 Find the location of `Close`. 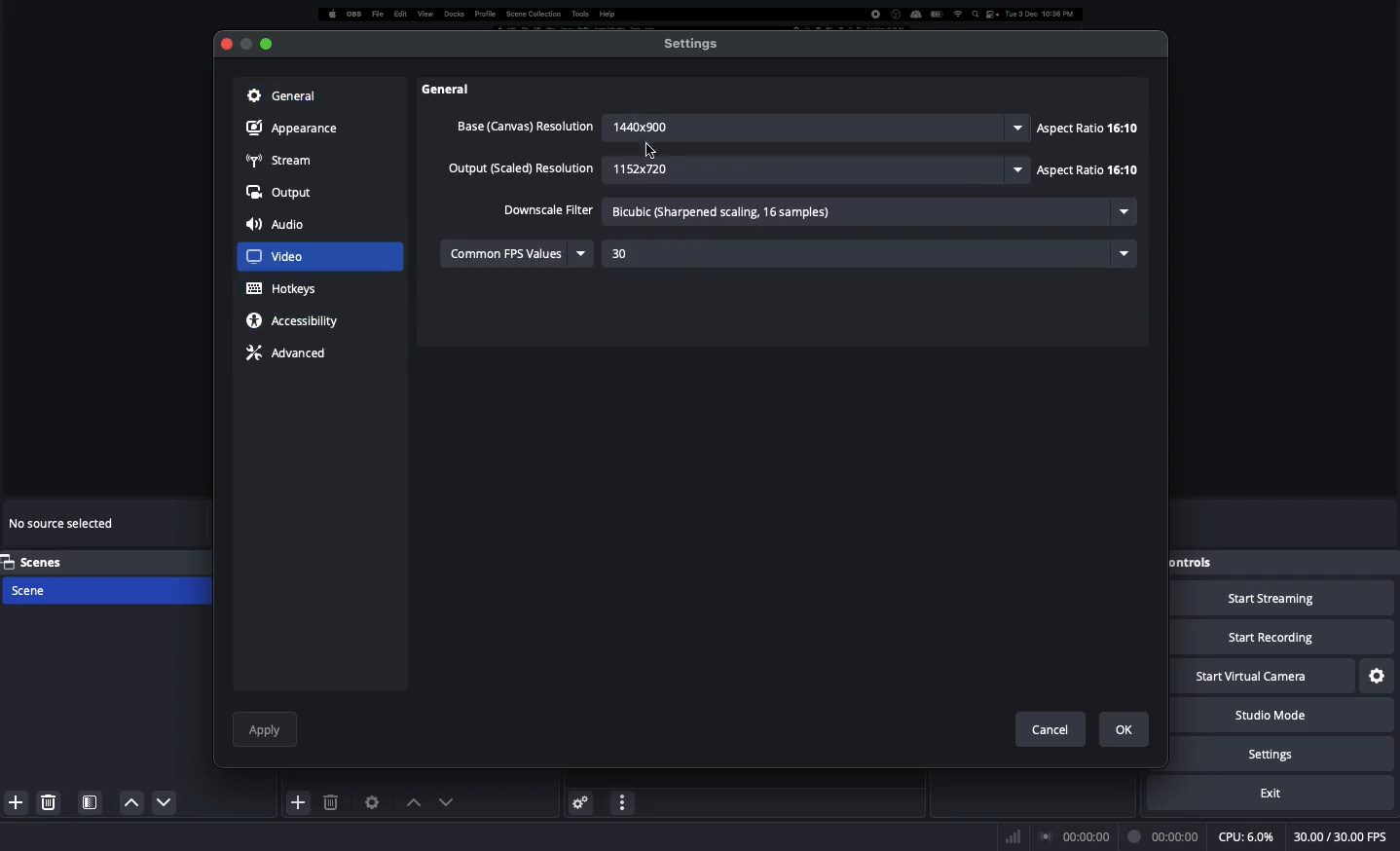

Close is located at coordinates (225, 45).